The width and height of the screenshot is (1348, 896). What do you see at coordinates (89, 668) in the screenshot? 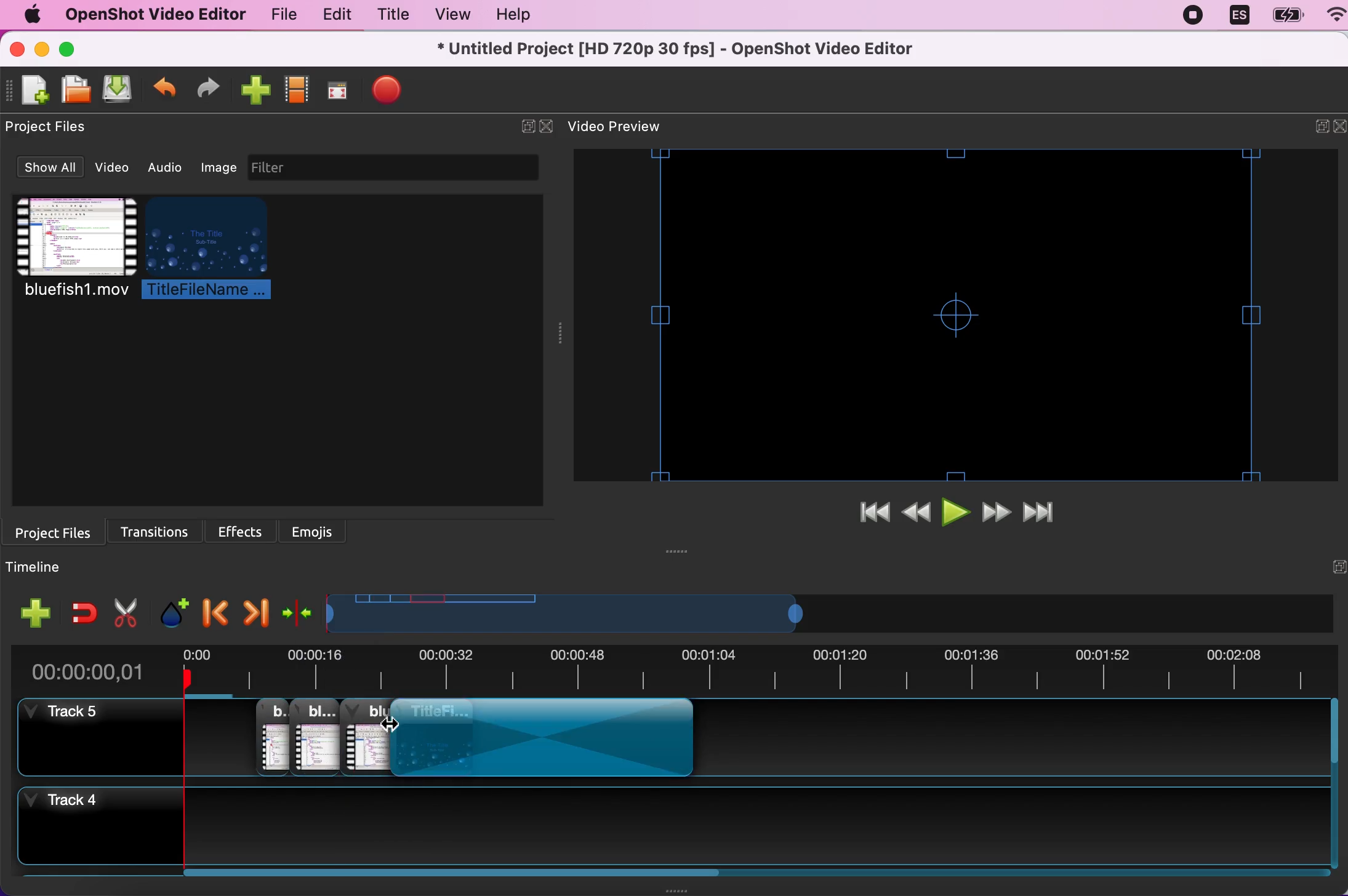
I see `00:00:00,01` at bounding box center [89, 668].